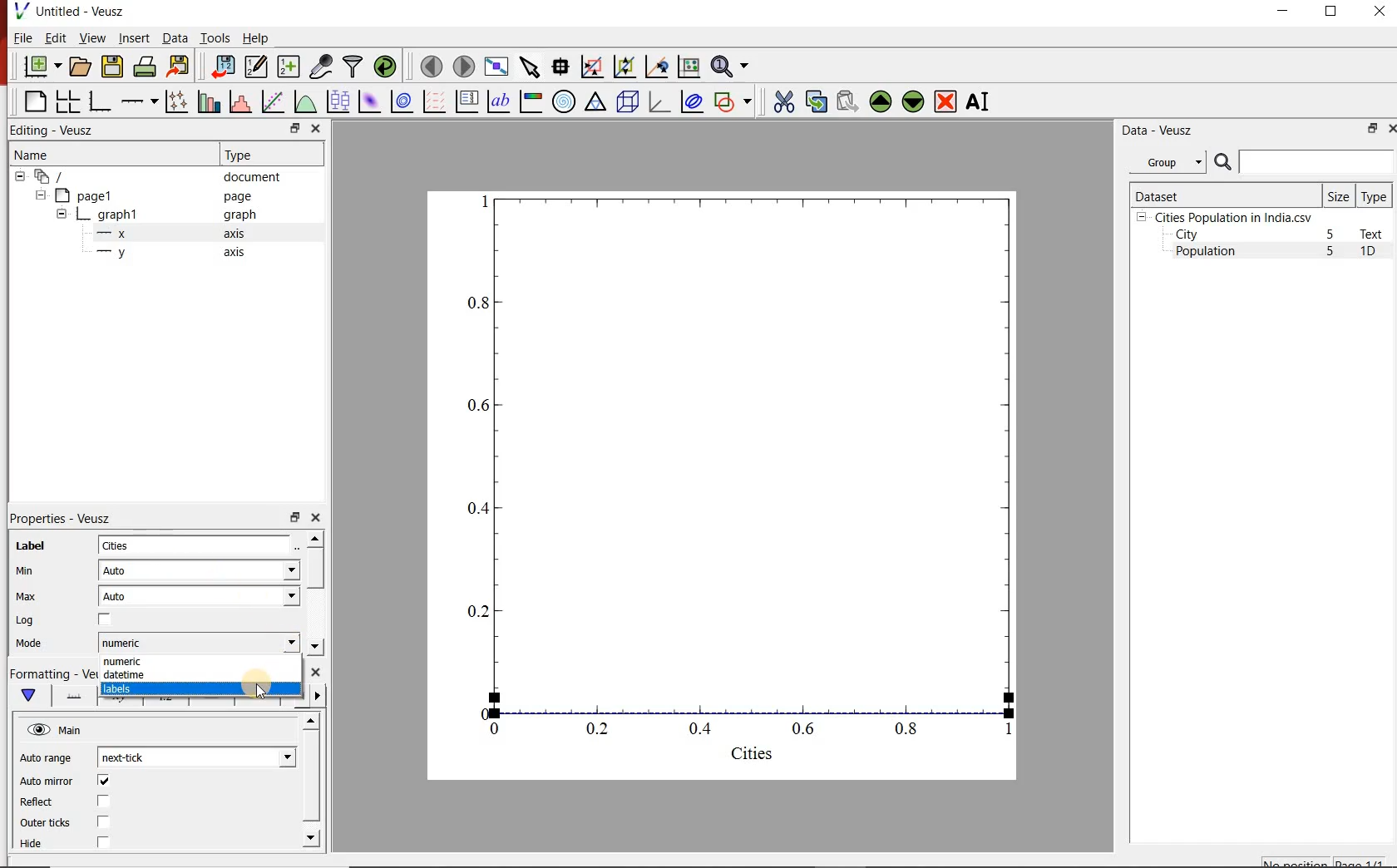 This screenshot has width=1397, height=868. I want to click on Group datasets with property given, so click(1167, 161).